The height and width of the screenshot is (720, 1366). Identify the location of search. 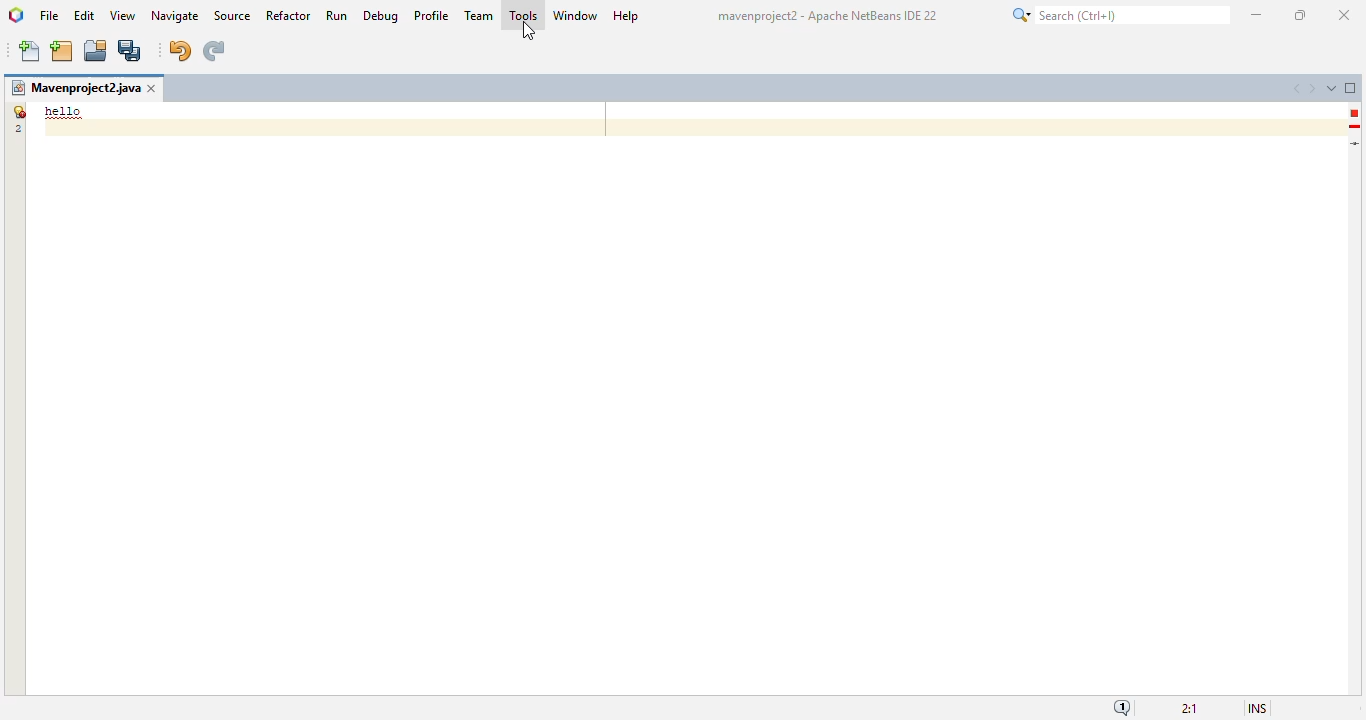
(1118, 15).